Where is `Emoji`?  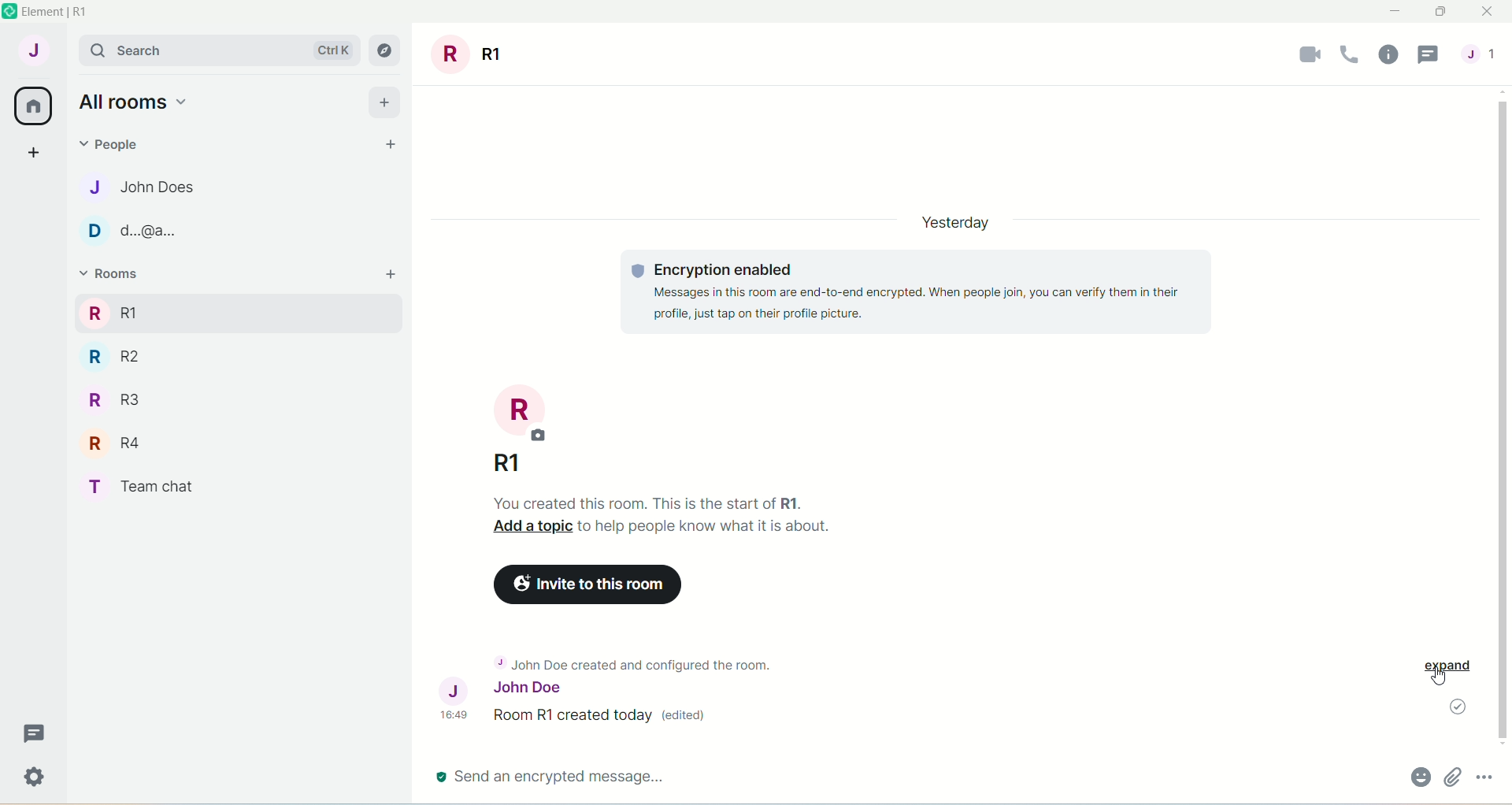 Emoji is located at coordinates (1421, 778).